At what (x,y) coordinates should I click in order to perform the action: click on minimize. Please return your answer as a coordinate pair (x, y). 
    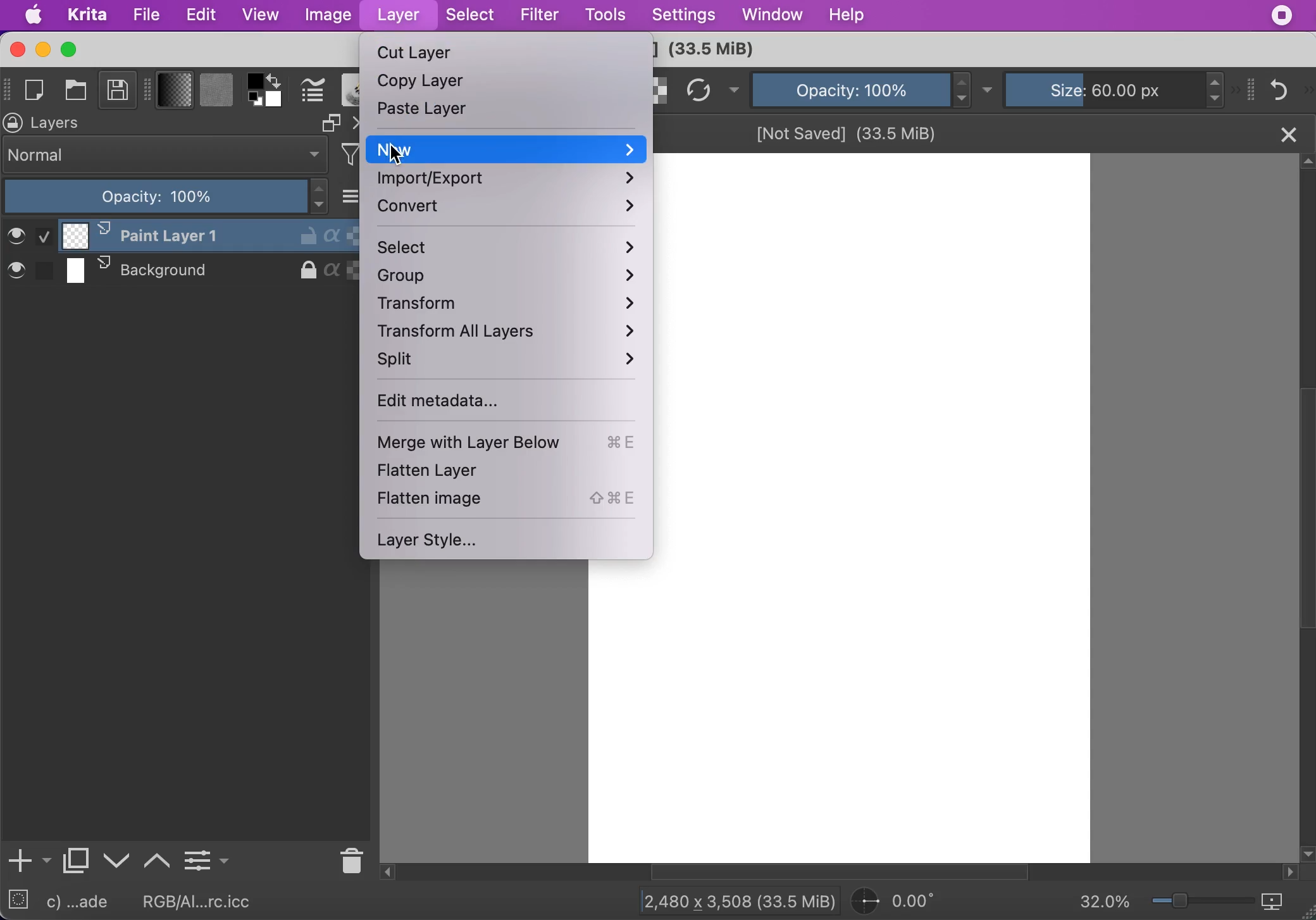
    Looking at the image, I should click on (42, 49).